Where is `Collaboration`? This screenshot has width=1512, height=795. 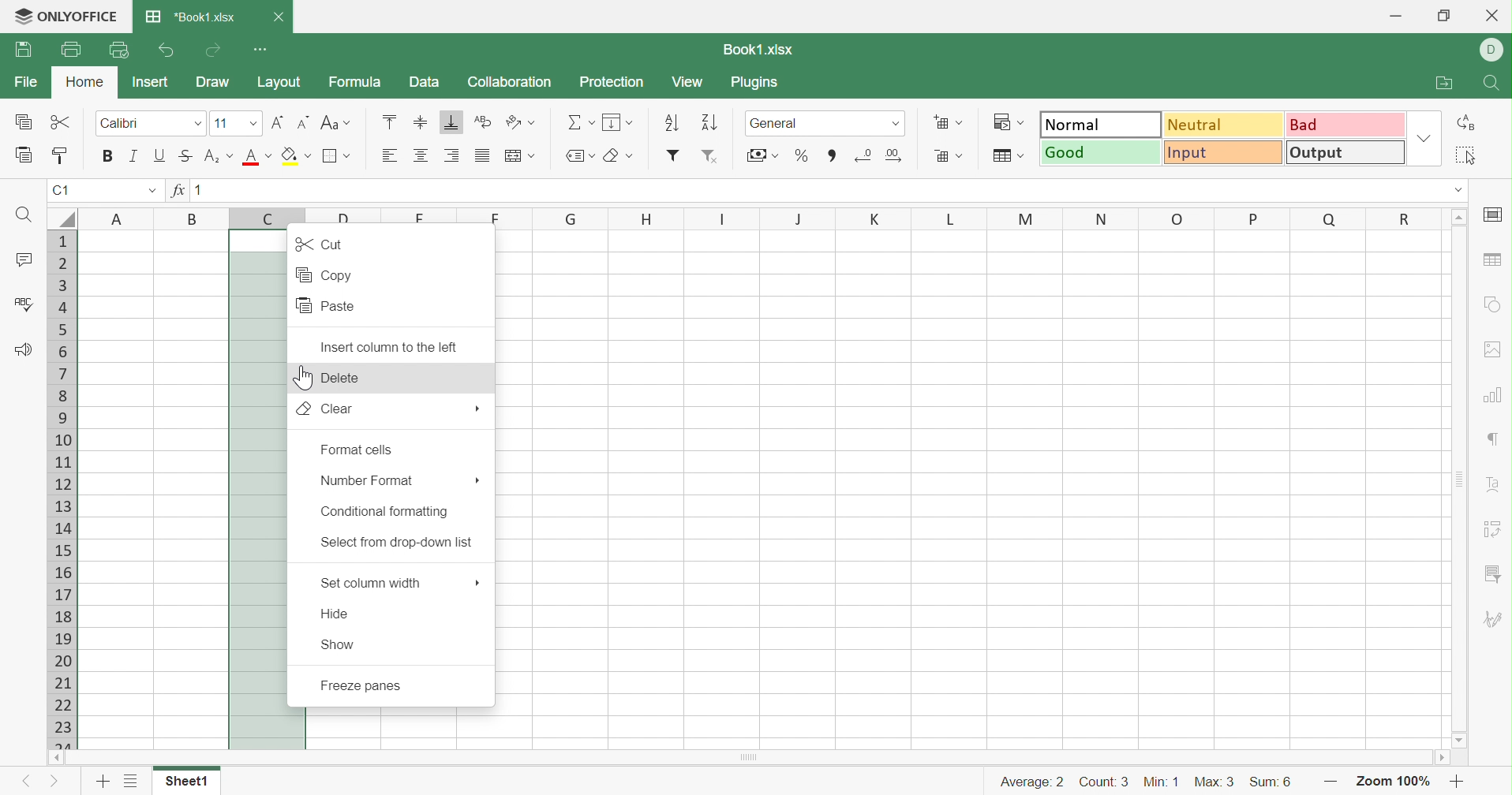 Collaboration is located at coordinates (510, 80).